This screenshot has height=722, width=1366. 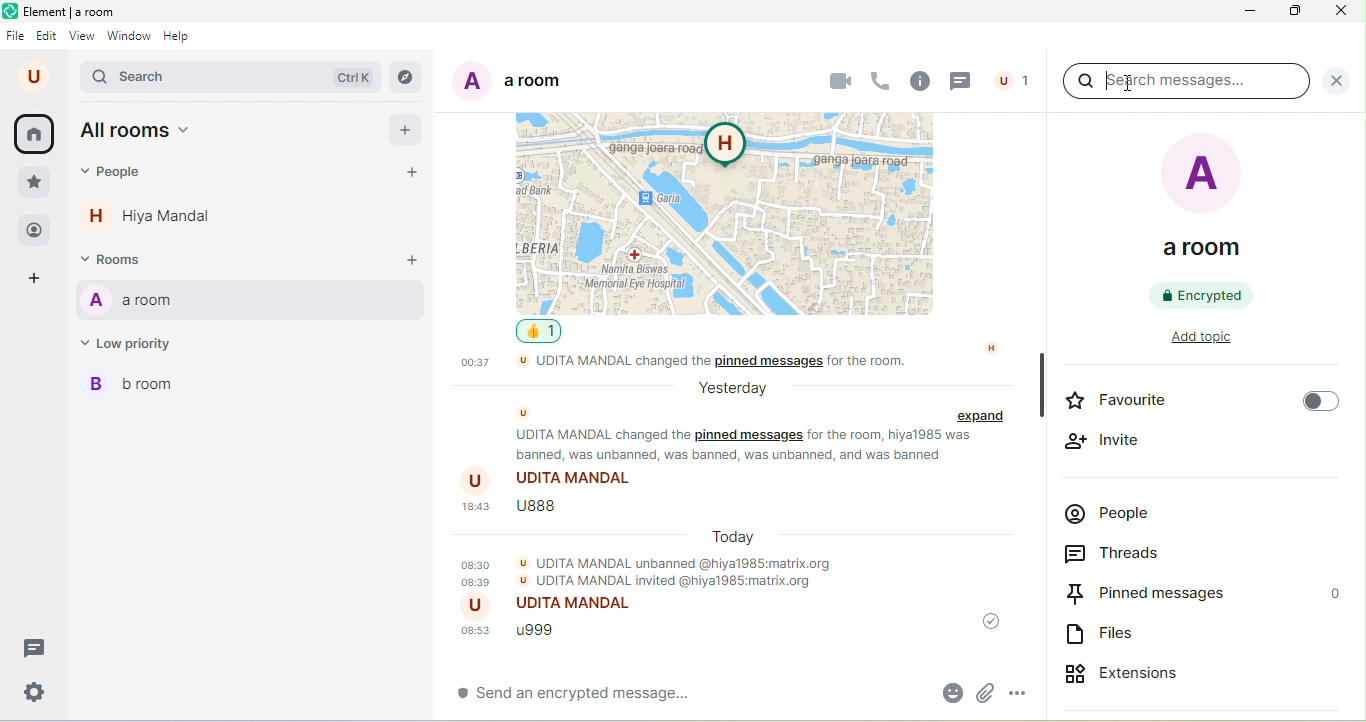 What do you see at coordinates (555, 607) in the screenshot?
I see `udita mandal` at bounding box center [555, 607].